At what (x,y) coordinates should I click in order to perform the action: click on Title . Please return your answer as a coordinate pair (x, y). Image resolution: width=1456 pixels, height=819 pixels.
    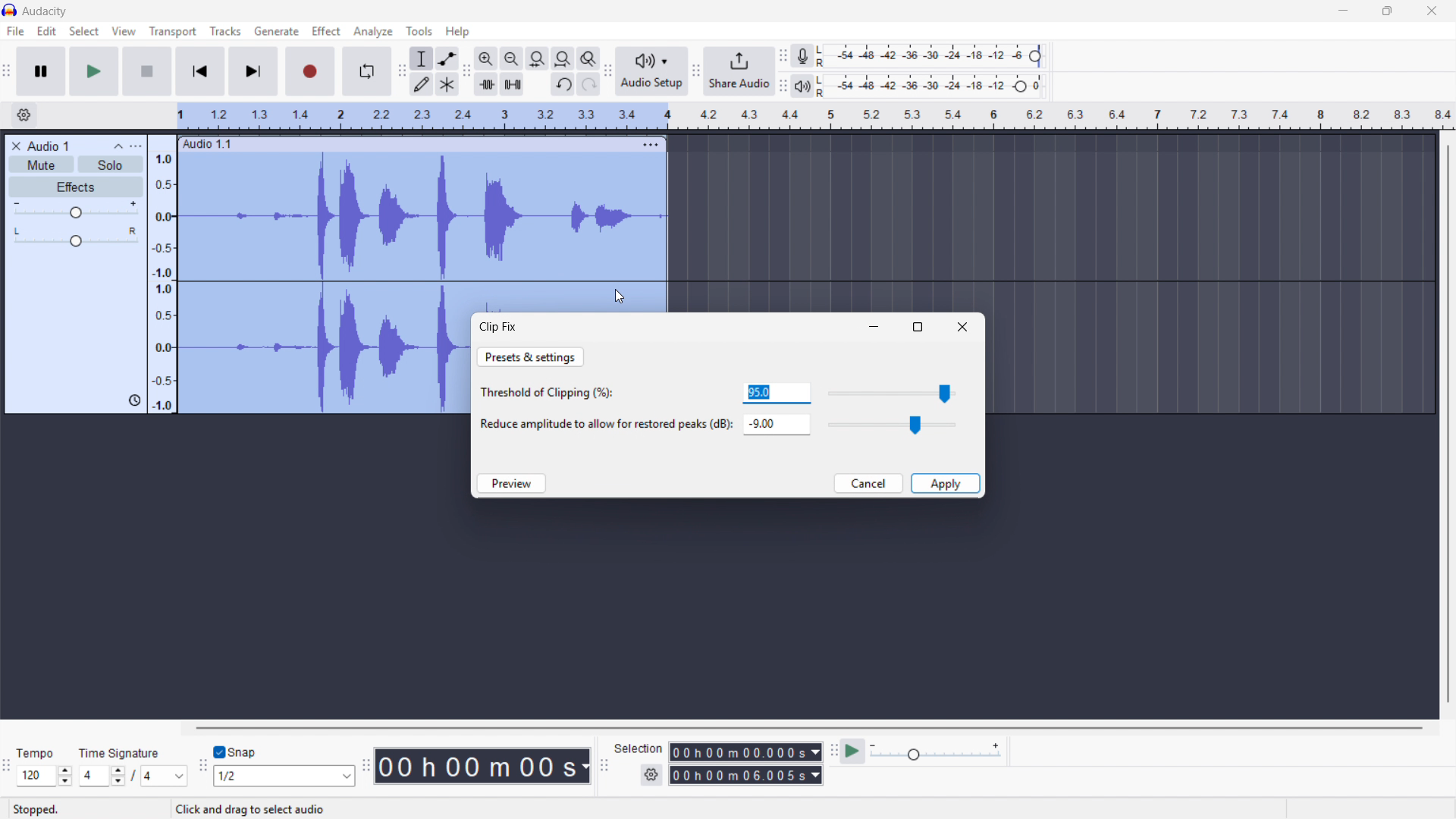
    Looking at the image, I should click on (45, 11).